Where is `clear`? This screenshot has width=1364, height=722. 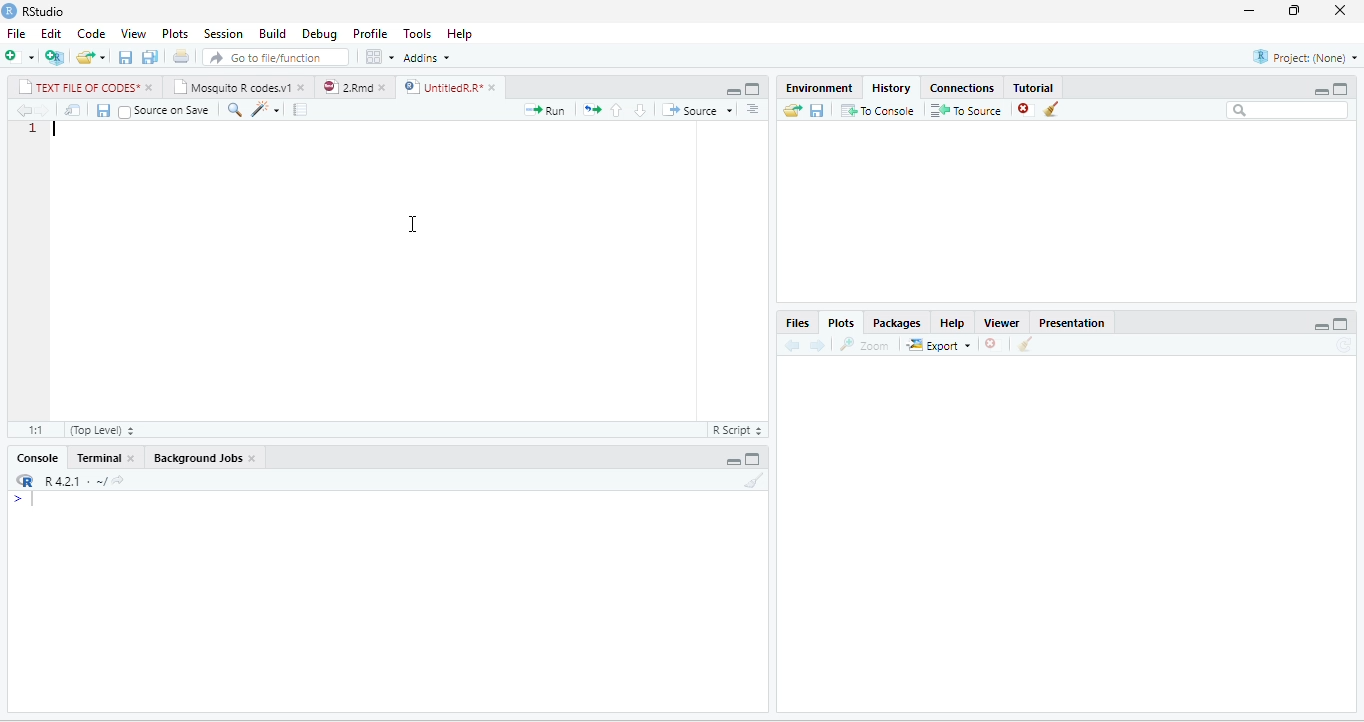
clear is located at coordinates (1025, 343).